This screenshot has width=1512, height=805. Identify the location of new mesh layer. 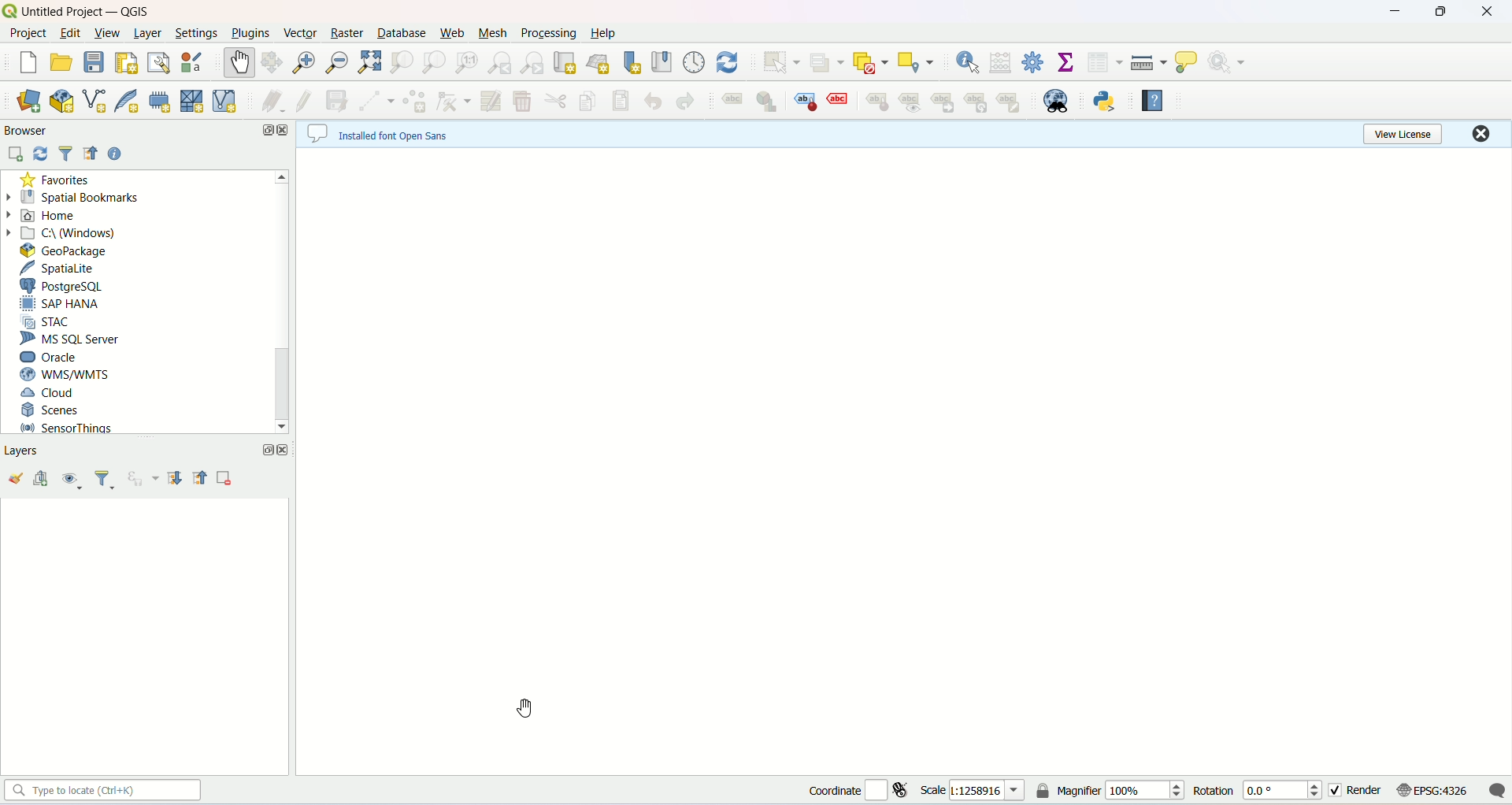
(192, 101).